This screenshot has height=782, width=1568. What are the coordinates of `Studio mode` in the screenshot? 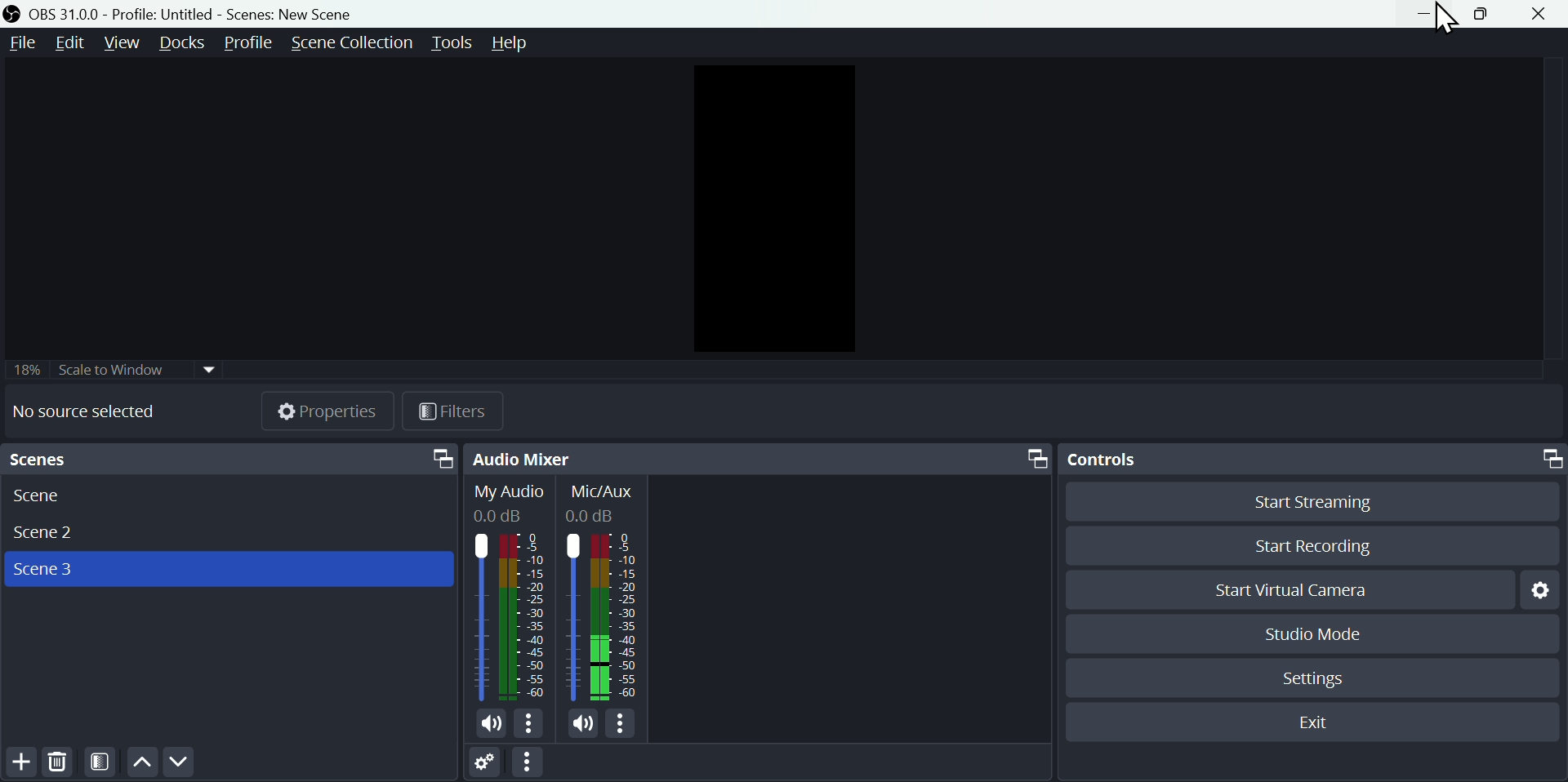 It's located at (1307, 634).